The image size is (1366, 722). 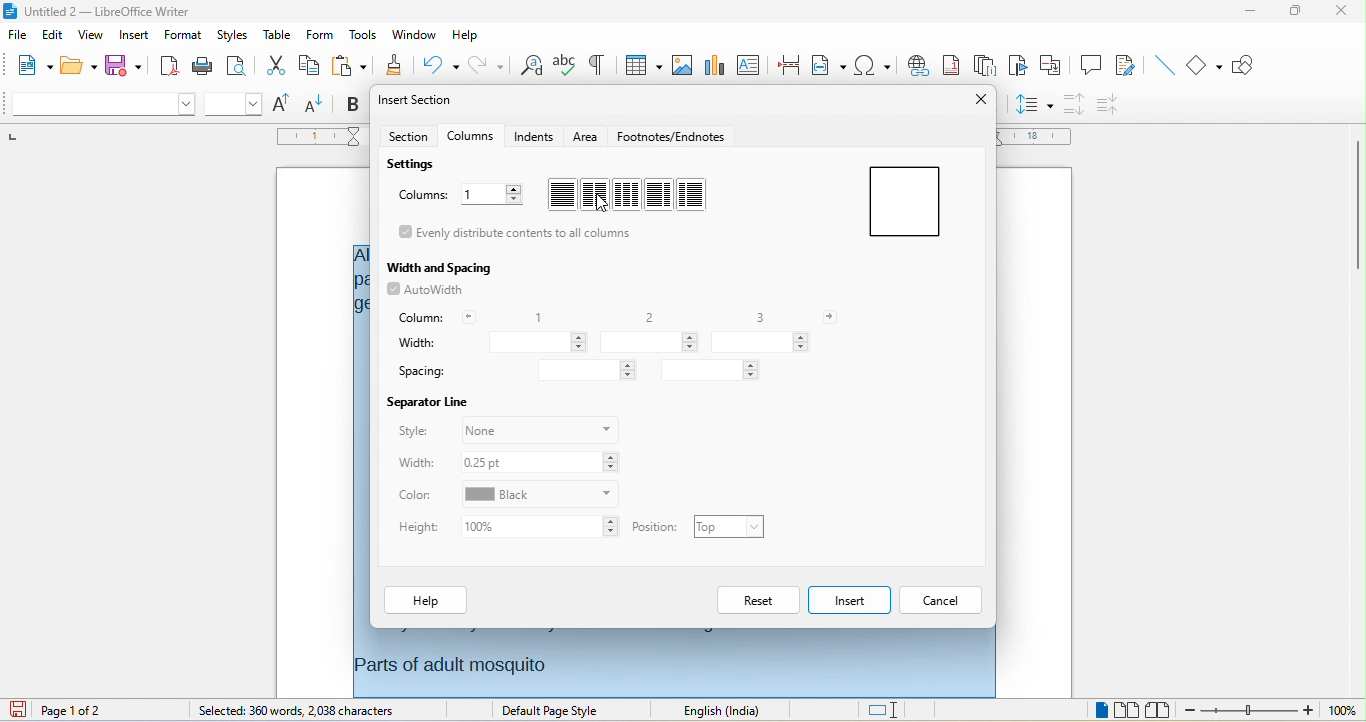 I want to click on width and spacing, so click(x=441, y=264).